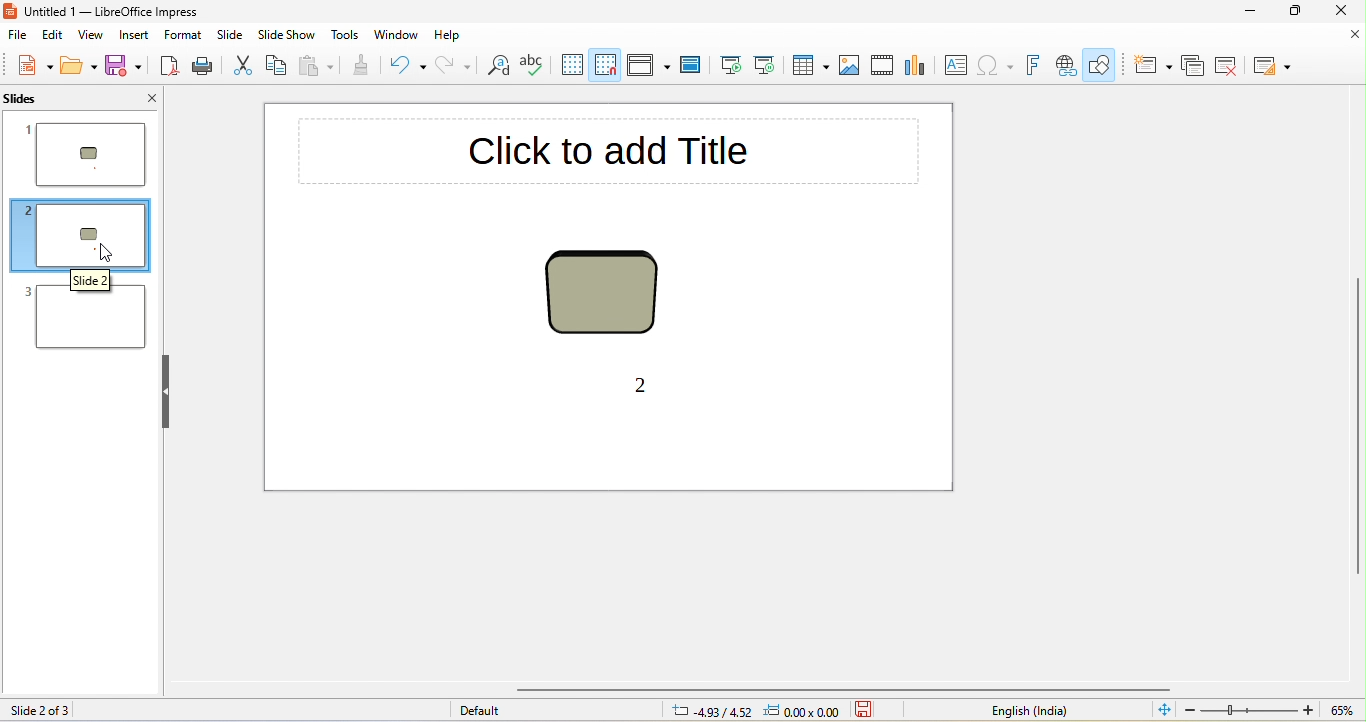 The width and height of the screenshot is (1366, 722). Describe the element at coordinates (1104, 66) in the screenshot. I see `show draw function` at that location.